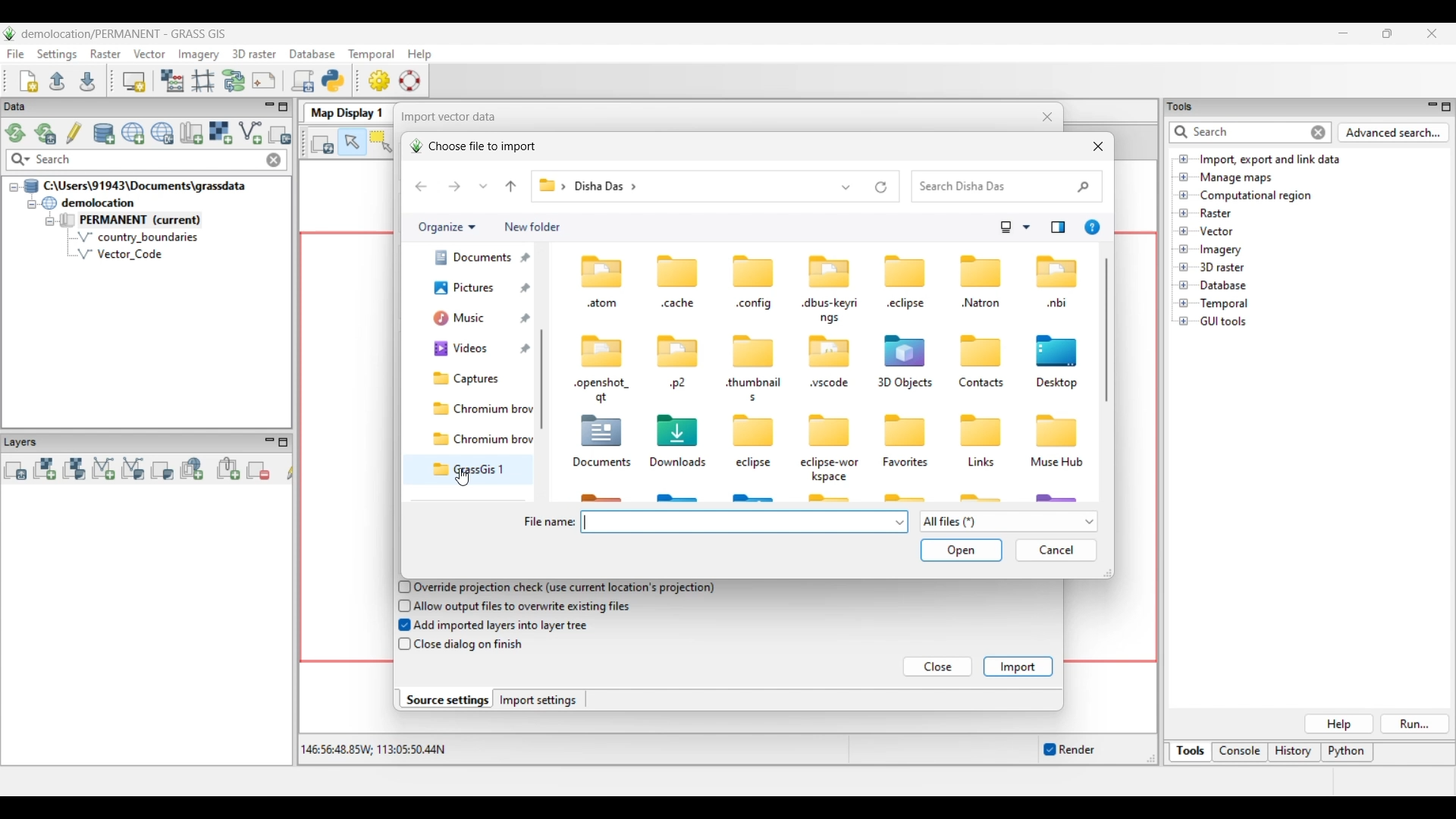 Image resolution: width=1456 pixels, height=819 pixels. I want to click on Add raster map layer, so click(45, 469).